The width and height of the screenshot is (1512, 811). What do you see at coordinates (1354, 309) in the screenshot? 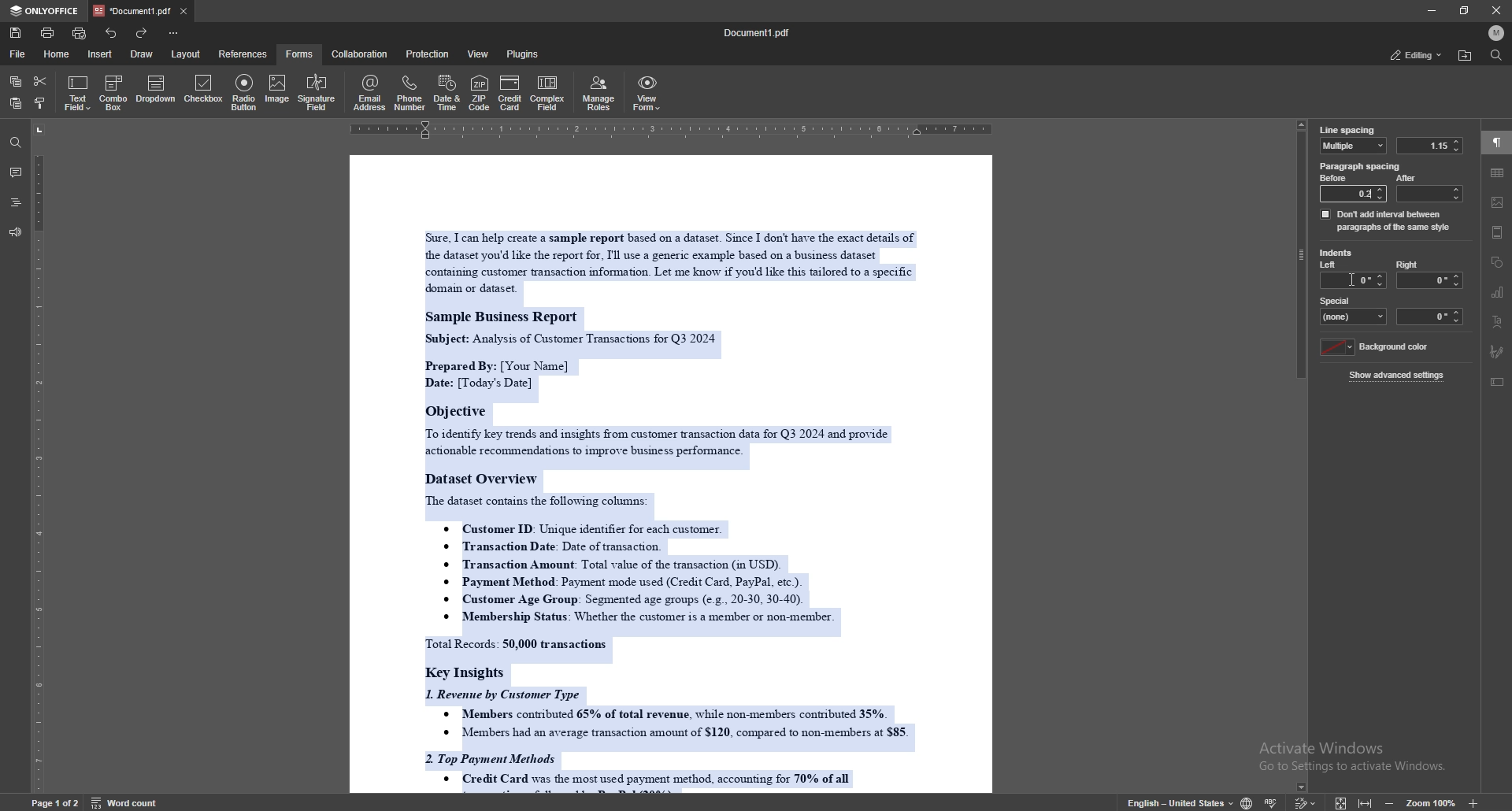
I see `special` at bounding box center [1354, 309].